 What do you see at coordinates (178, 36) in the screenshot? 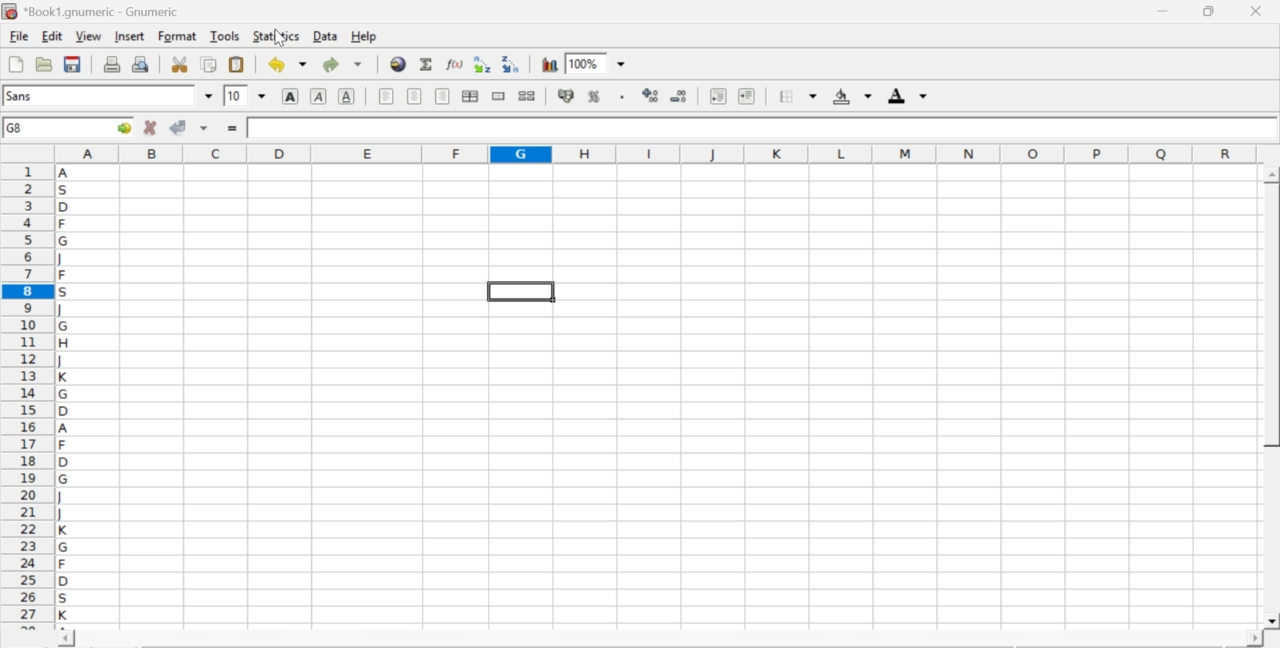
I see `format` at bounding box center [178, 36].